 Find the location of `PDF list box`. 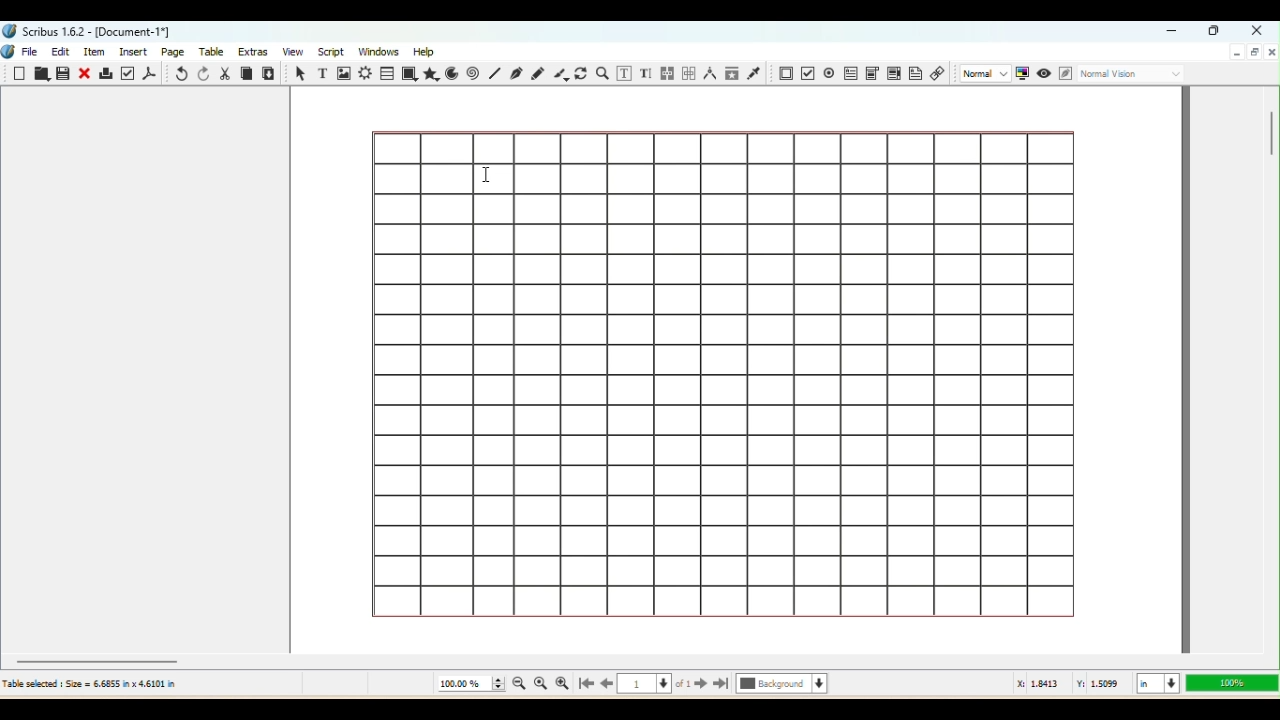

PDF list box is located at coordinates (893, 74).